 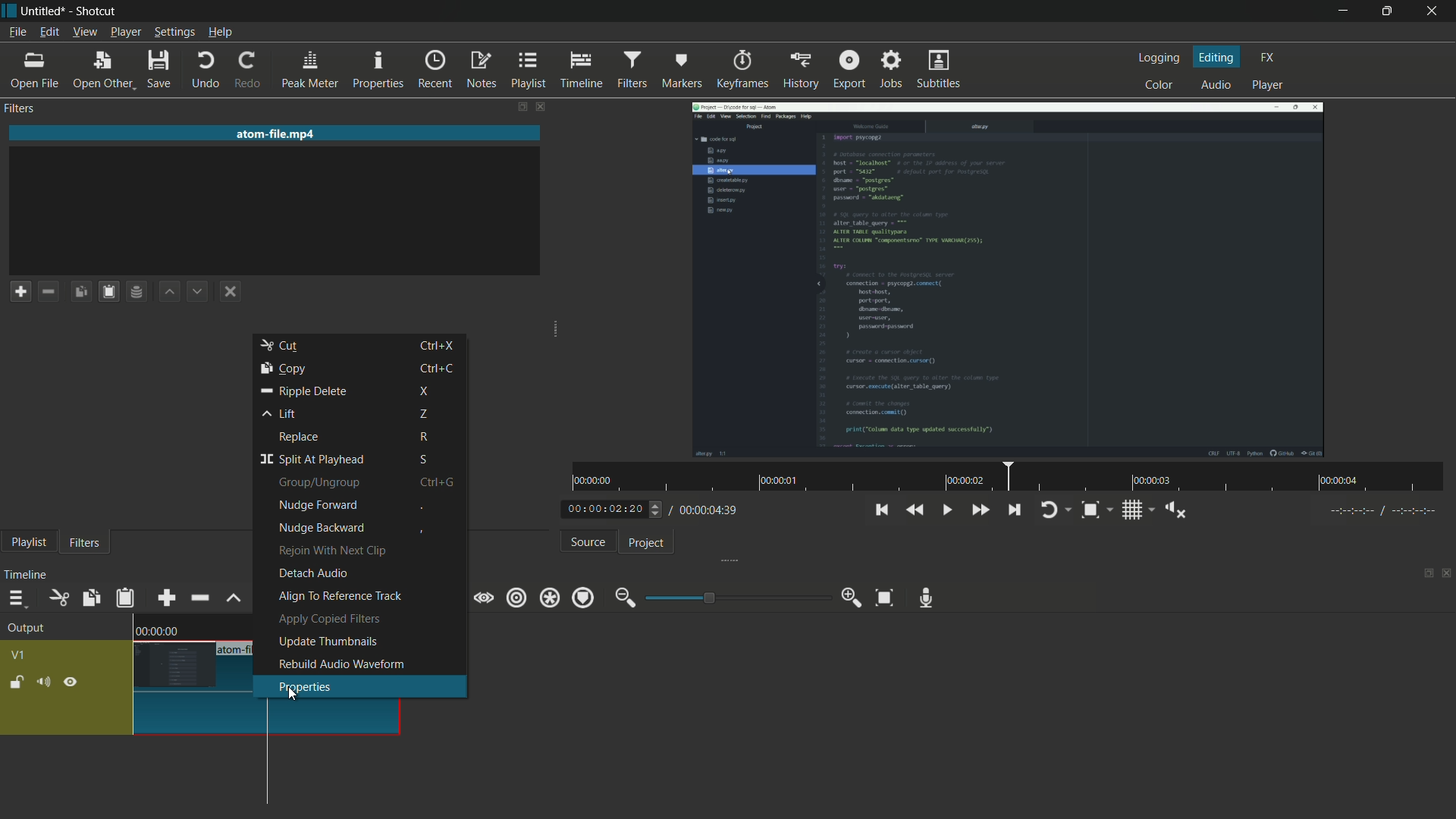 What do you see at coordinates (579, 70) in the screenshot?
I see `timeline` at bounding box center [579, 70].